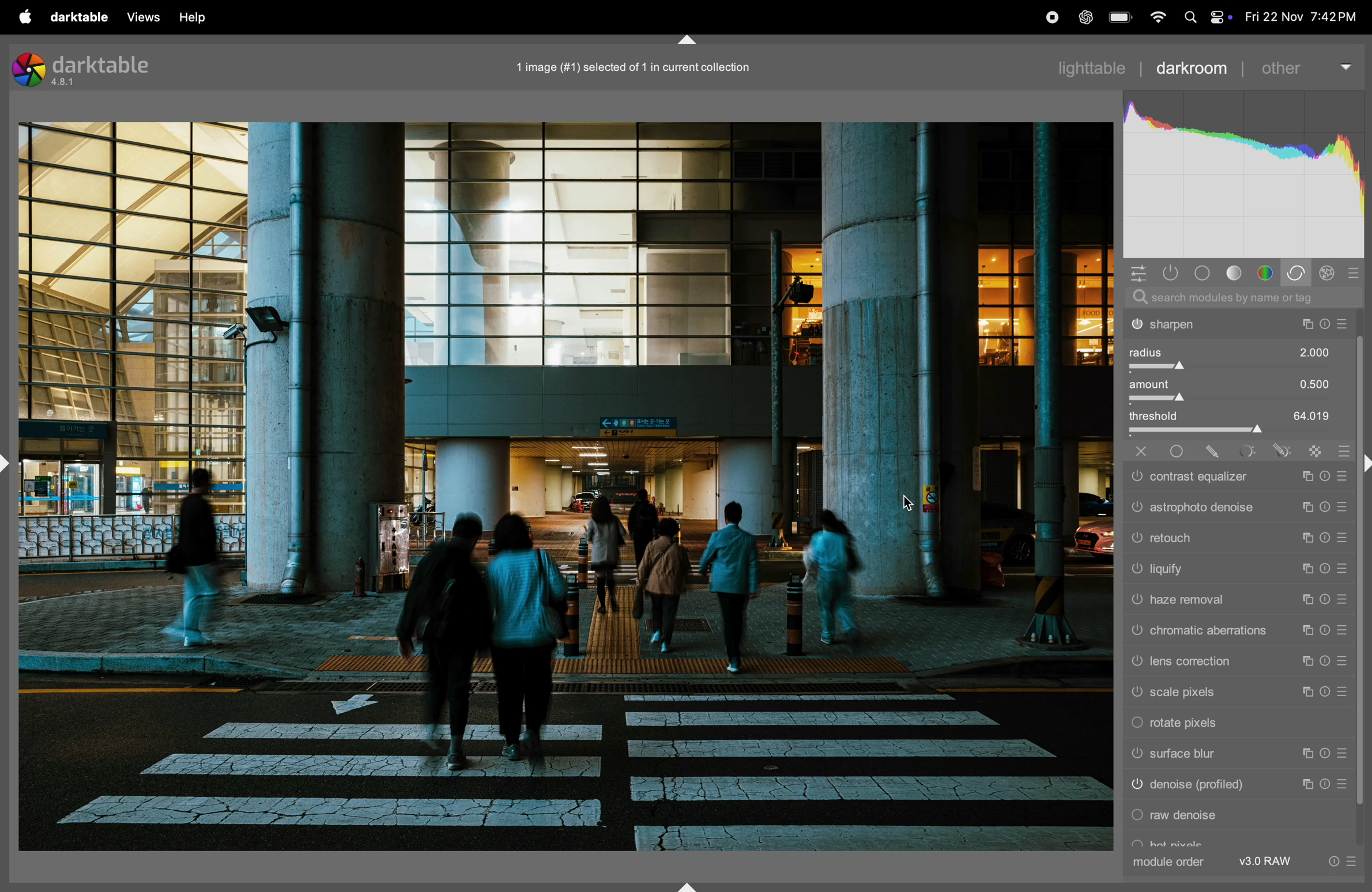 This screenshot has width=1372, height=892. What do you see at coordinates (1239, 325) in the screenshot?
I see `shartpen` at bounding box center [1239, 325].